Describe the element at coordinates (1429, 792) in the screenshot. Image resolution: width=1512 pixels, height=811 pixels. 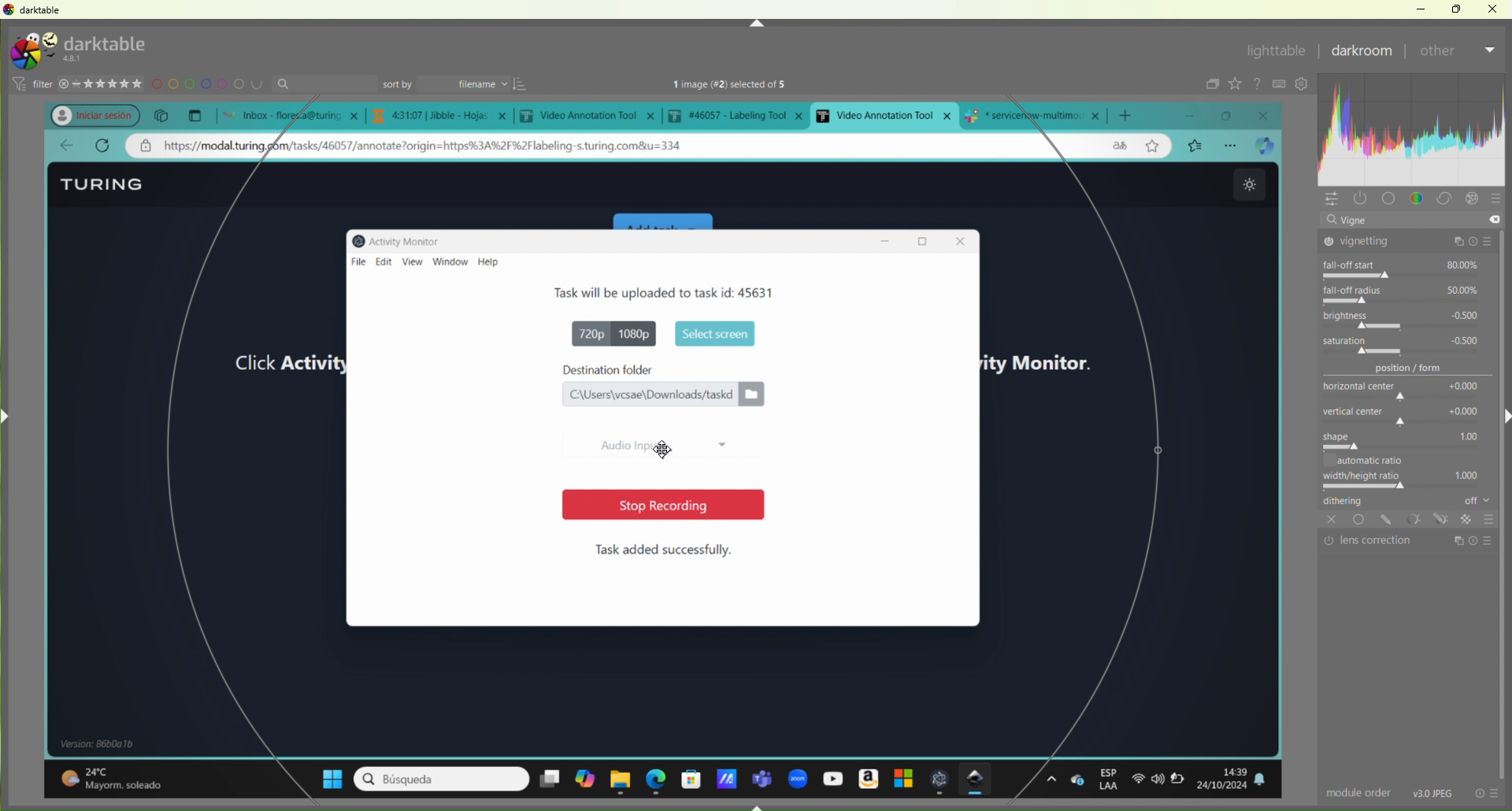
I see `v30 jpeg` at that location.